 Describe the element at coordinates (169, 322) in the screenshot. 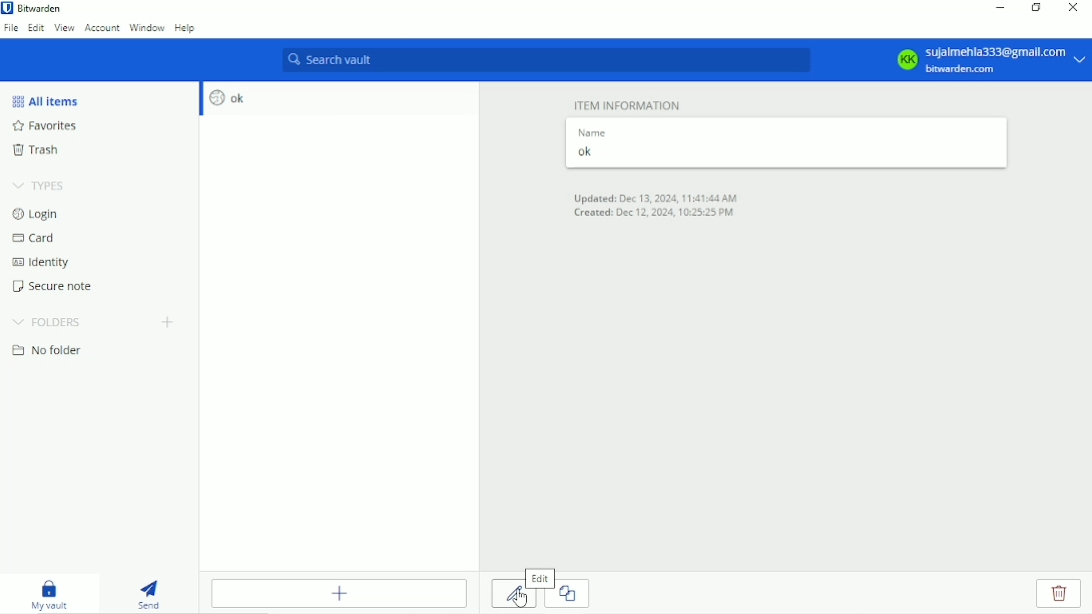

I see `Create folder` at that location.